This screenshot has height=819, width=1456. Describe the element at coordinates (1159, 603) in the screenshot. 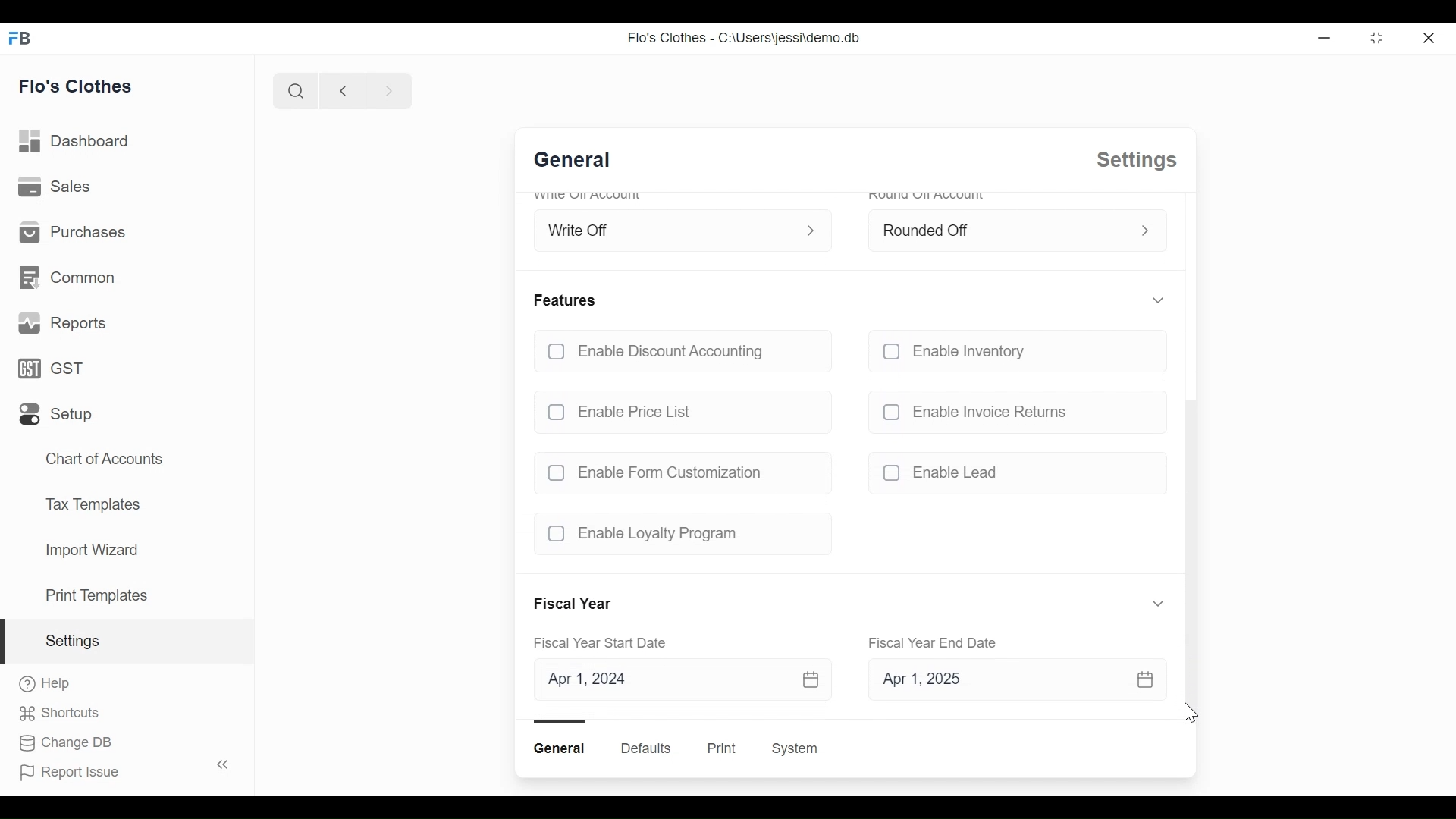

I see `Expand` at that location.